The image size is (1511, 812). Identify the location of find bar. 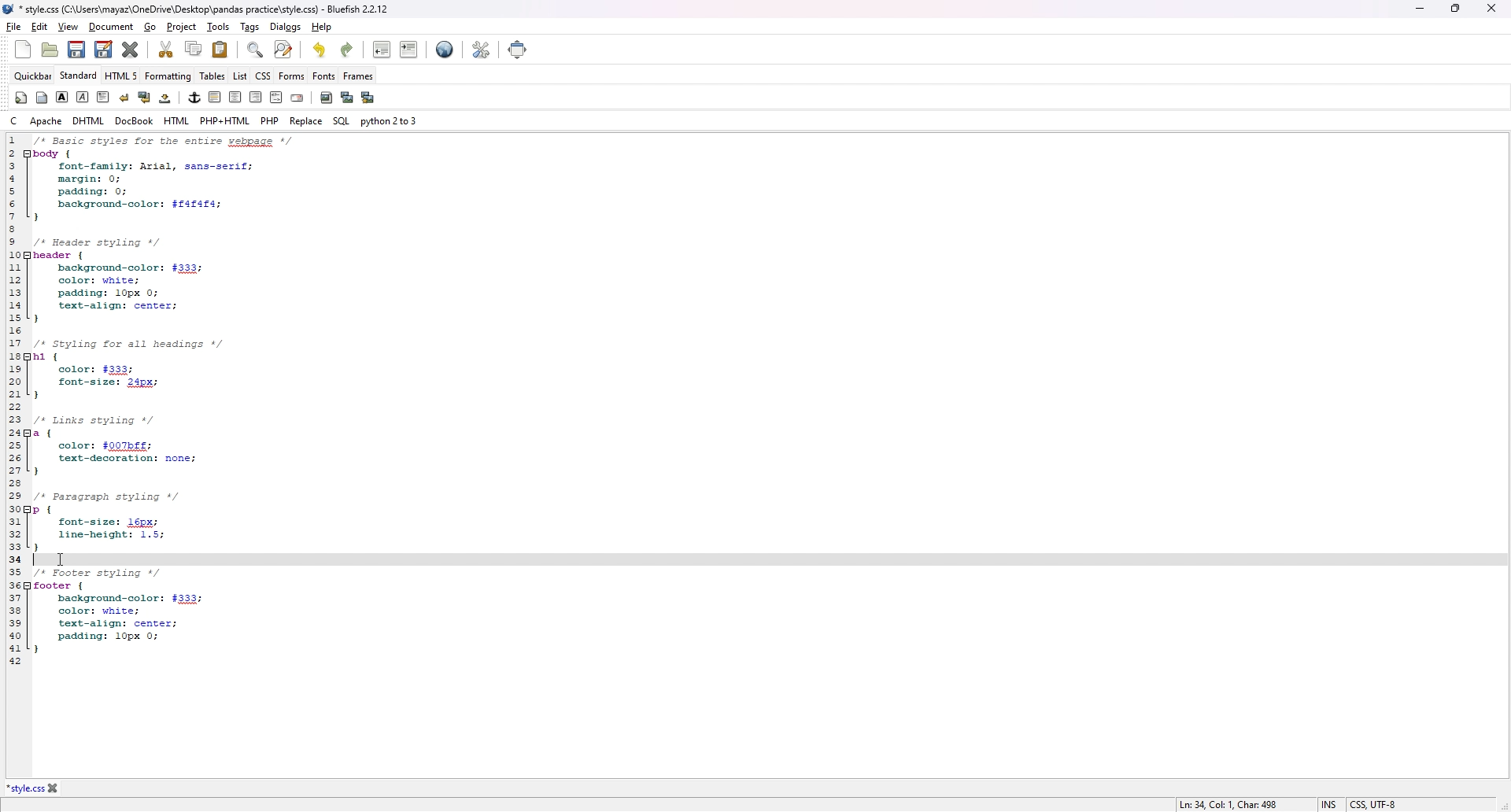
(254, 50).